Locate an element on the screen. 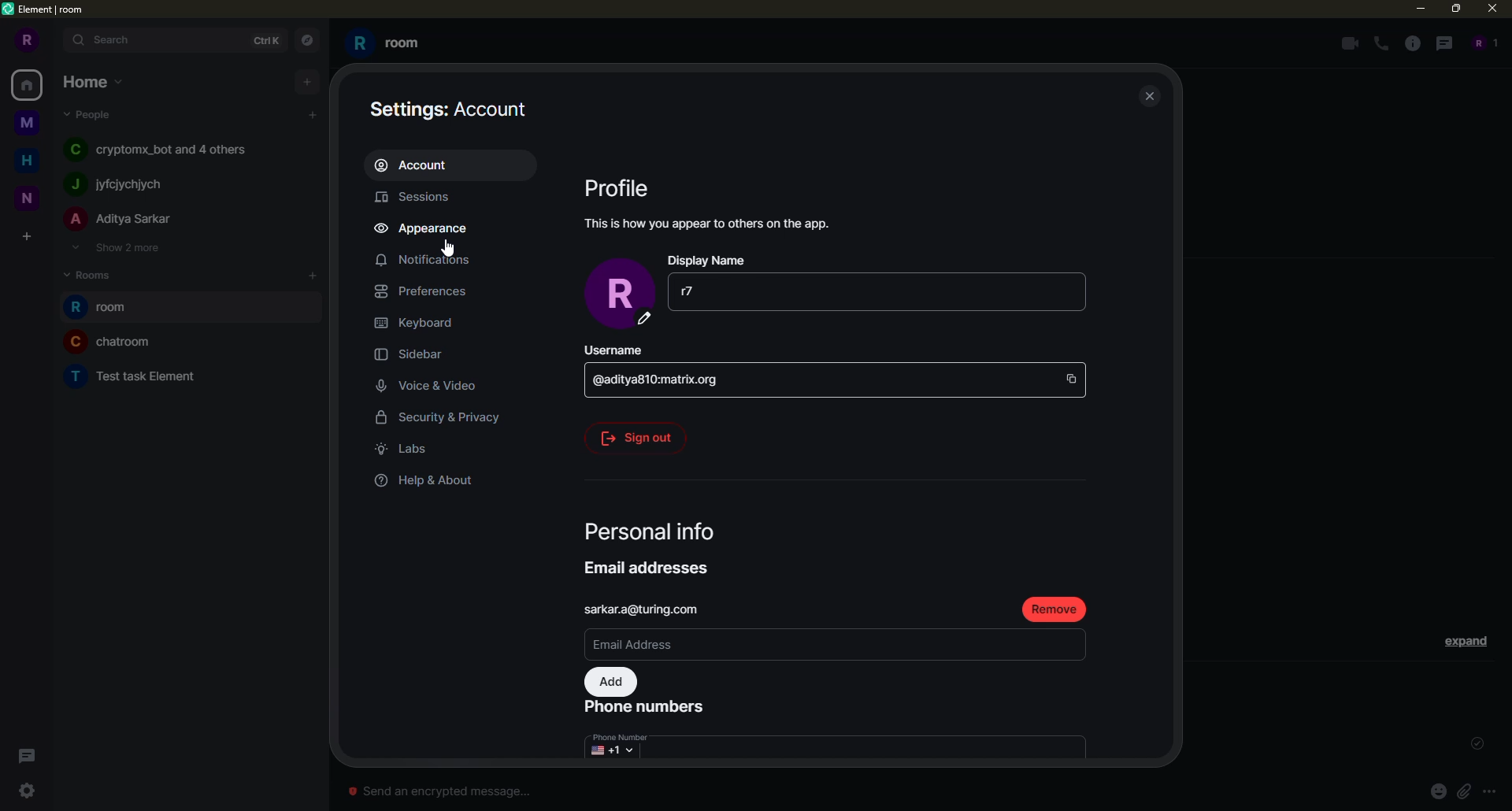 The height and width of the screenshot is (811, 1512).  Send an encrypted message... is located at coordinates (439, 791).